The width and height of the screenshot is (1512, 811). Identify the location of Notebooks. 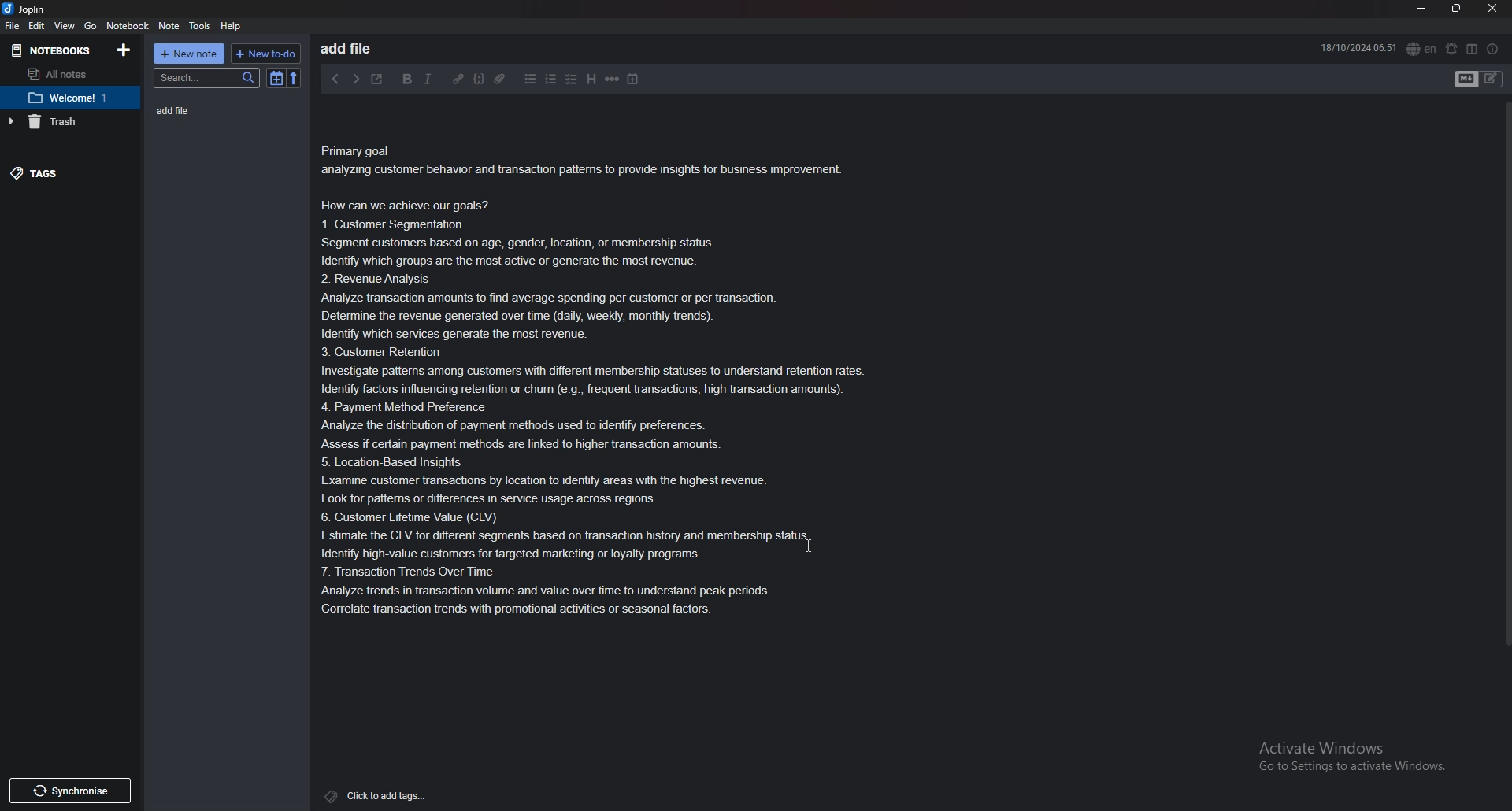
(56, 51).